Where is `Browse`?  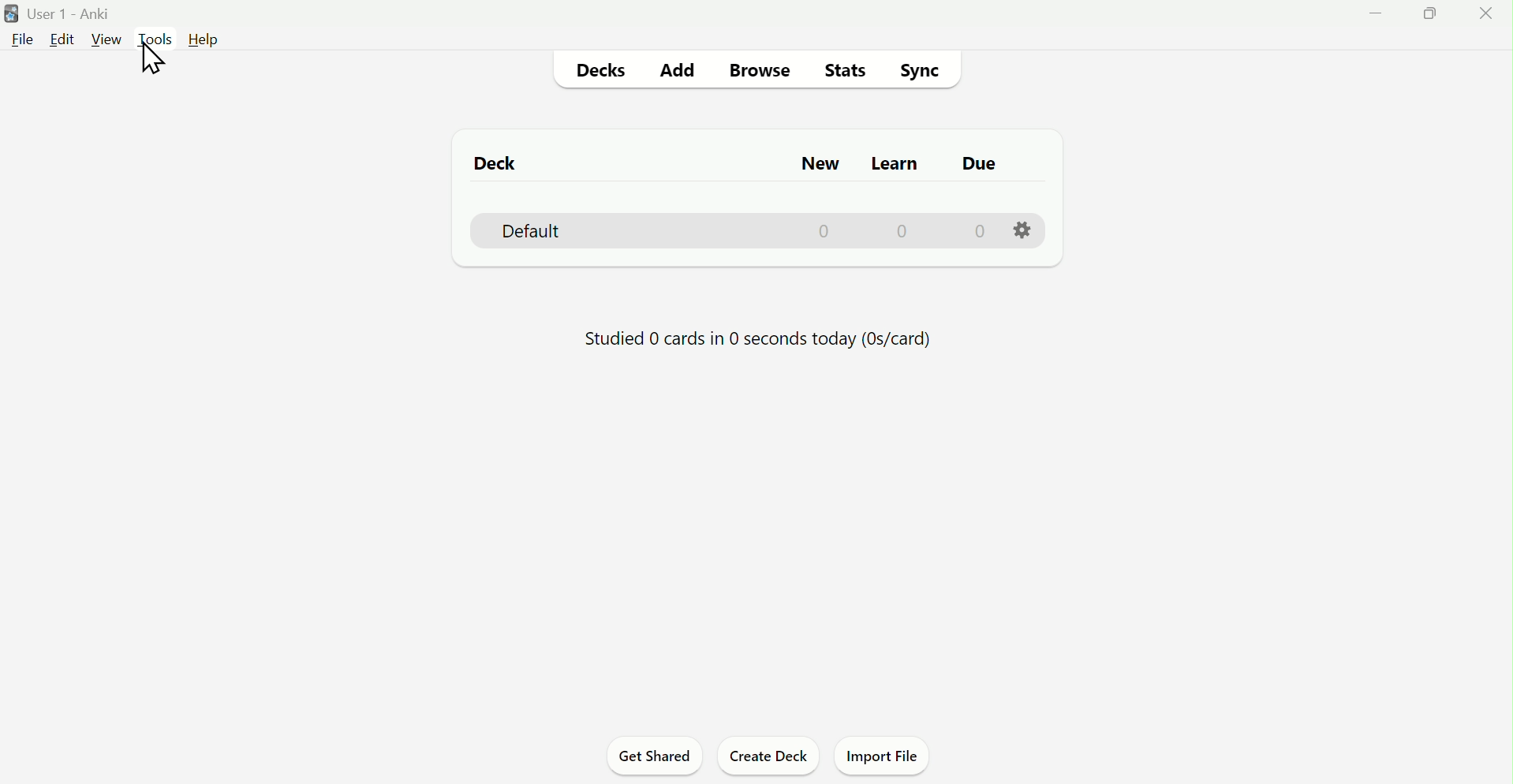 Browse is located at coordinates (764, 73).